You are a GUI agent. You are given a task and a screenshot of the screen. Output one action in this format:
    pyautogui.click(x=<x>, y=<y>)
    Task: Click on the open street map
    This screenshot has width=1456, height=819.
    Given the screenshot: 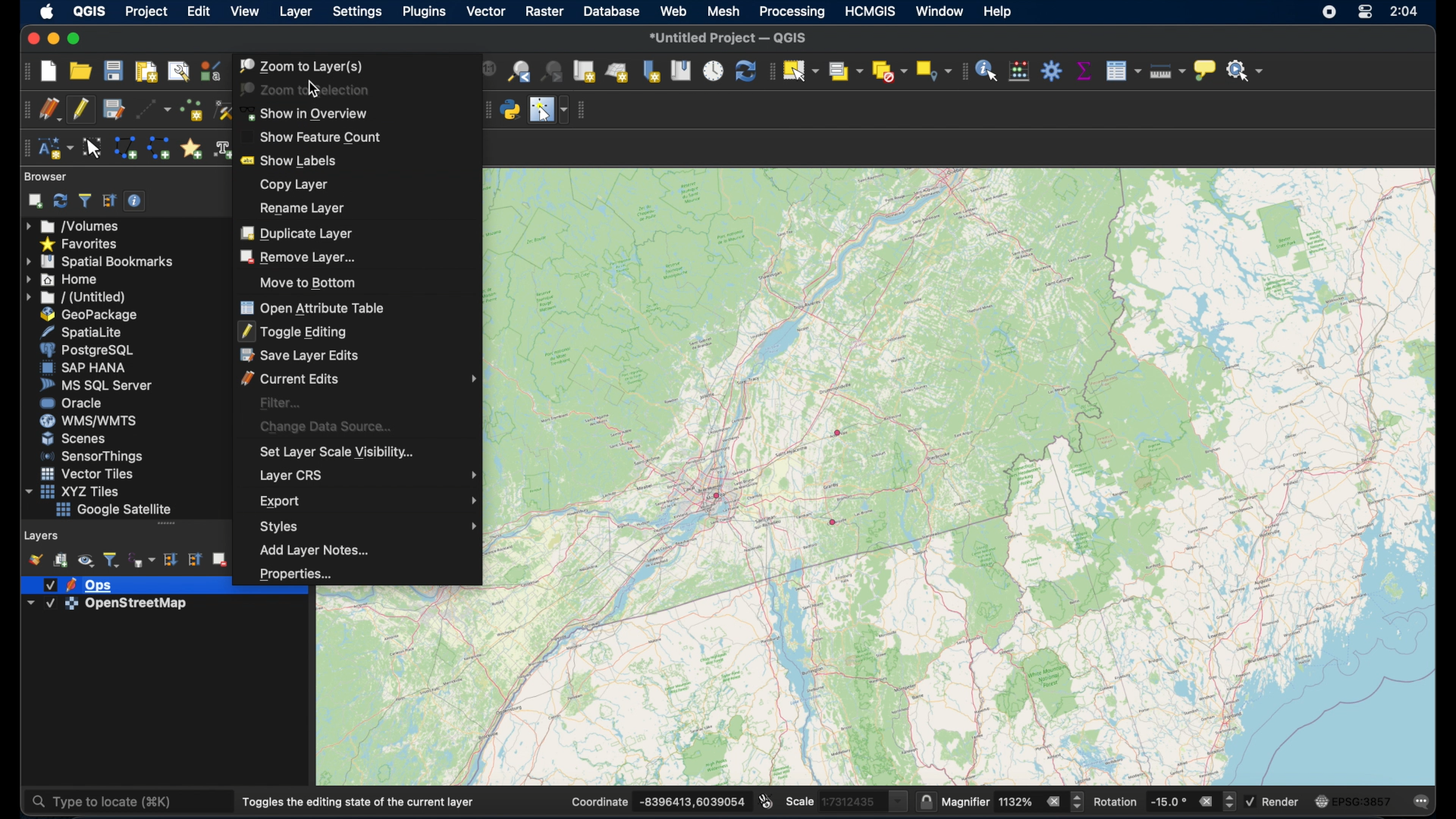 What is the action you would take?
    pyautogui.click(x=958, y=293)
    